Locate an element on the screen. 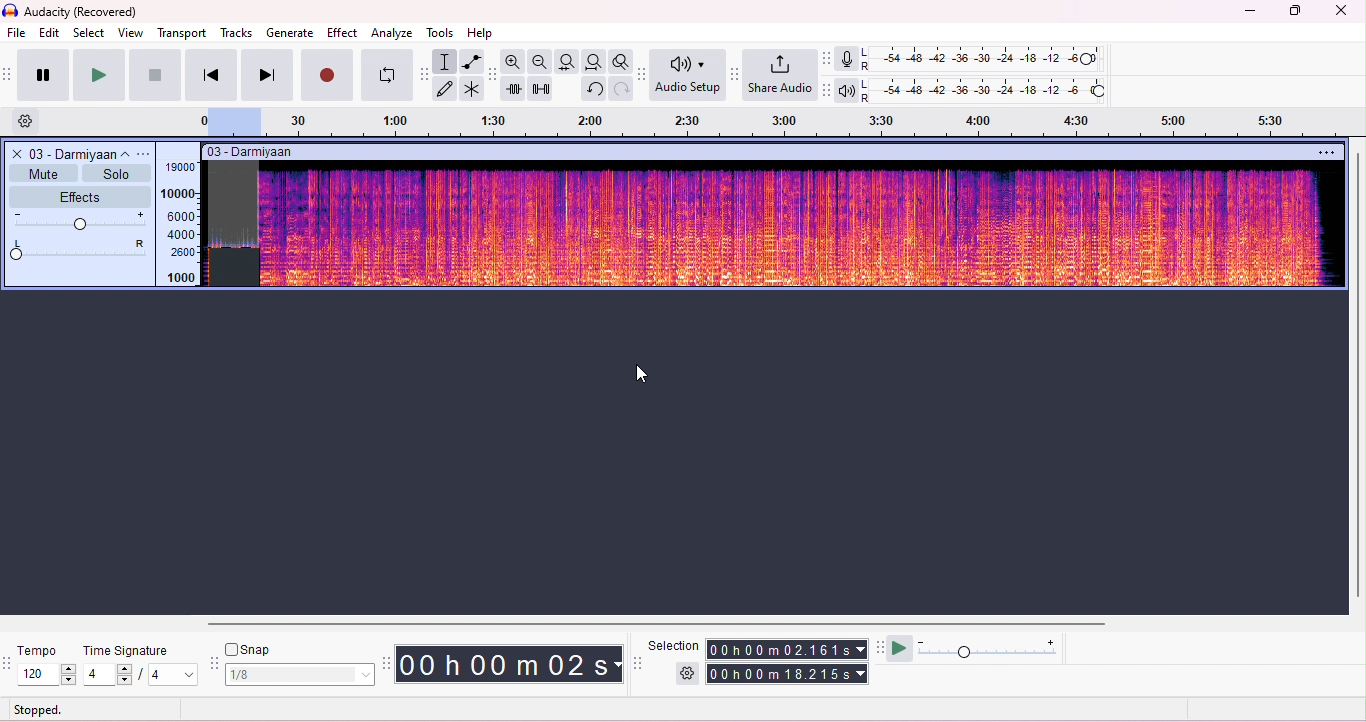 The image size is (1366, 722). Audio setup is located at coordinates (687, 75).